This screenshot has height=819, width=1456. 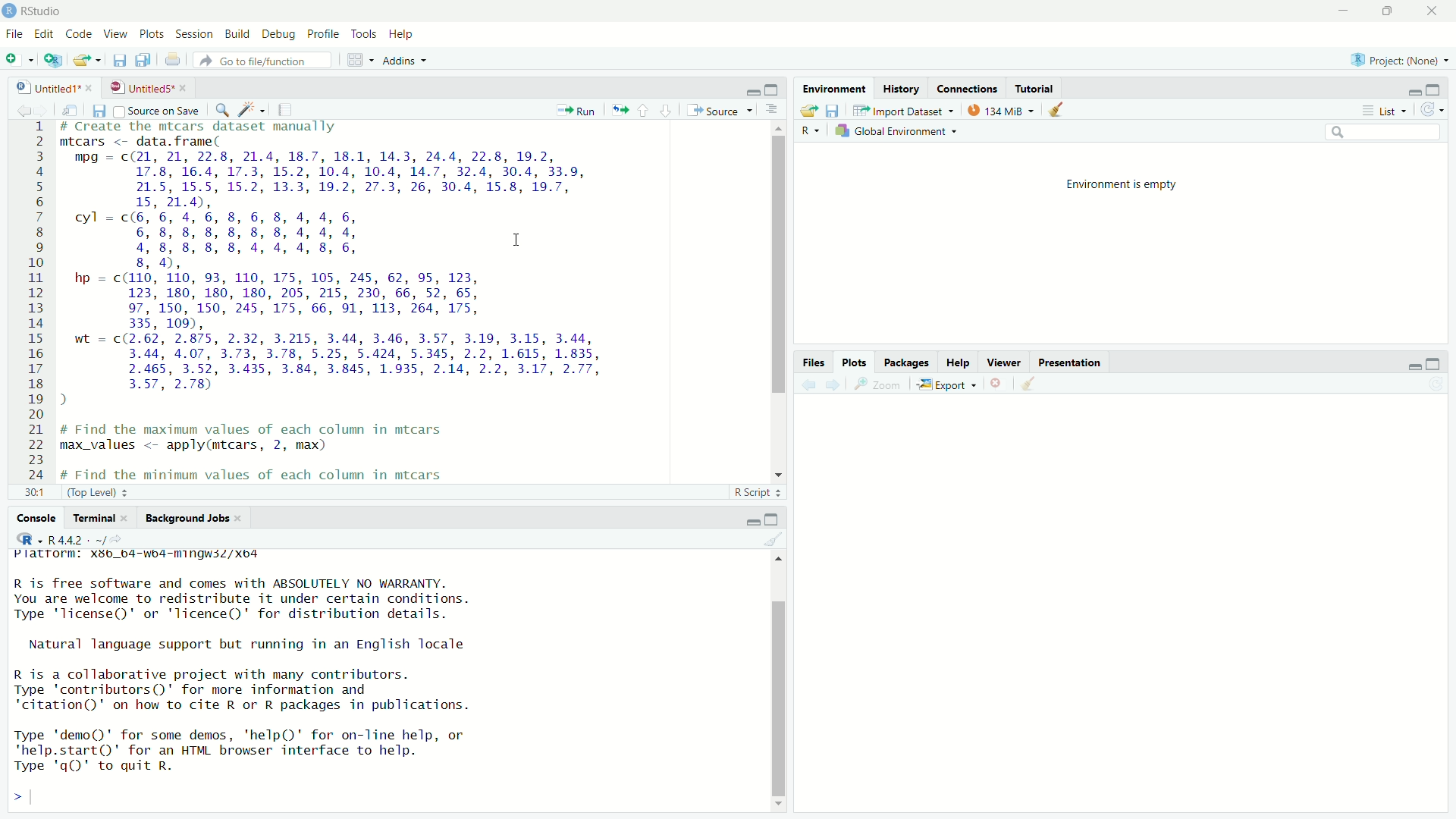 What do you see at coordinates (1062, 113) in the screenshot?
I see `clear` at bounding box center [1062, 113].